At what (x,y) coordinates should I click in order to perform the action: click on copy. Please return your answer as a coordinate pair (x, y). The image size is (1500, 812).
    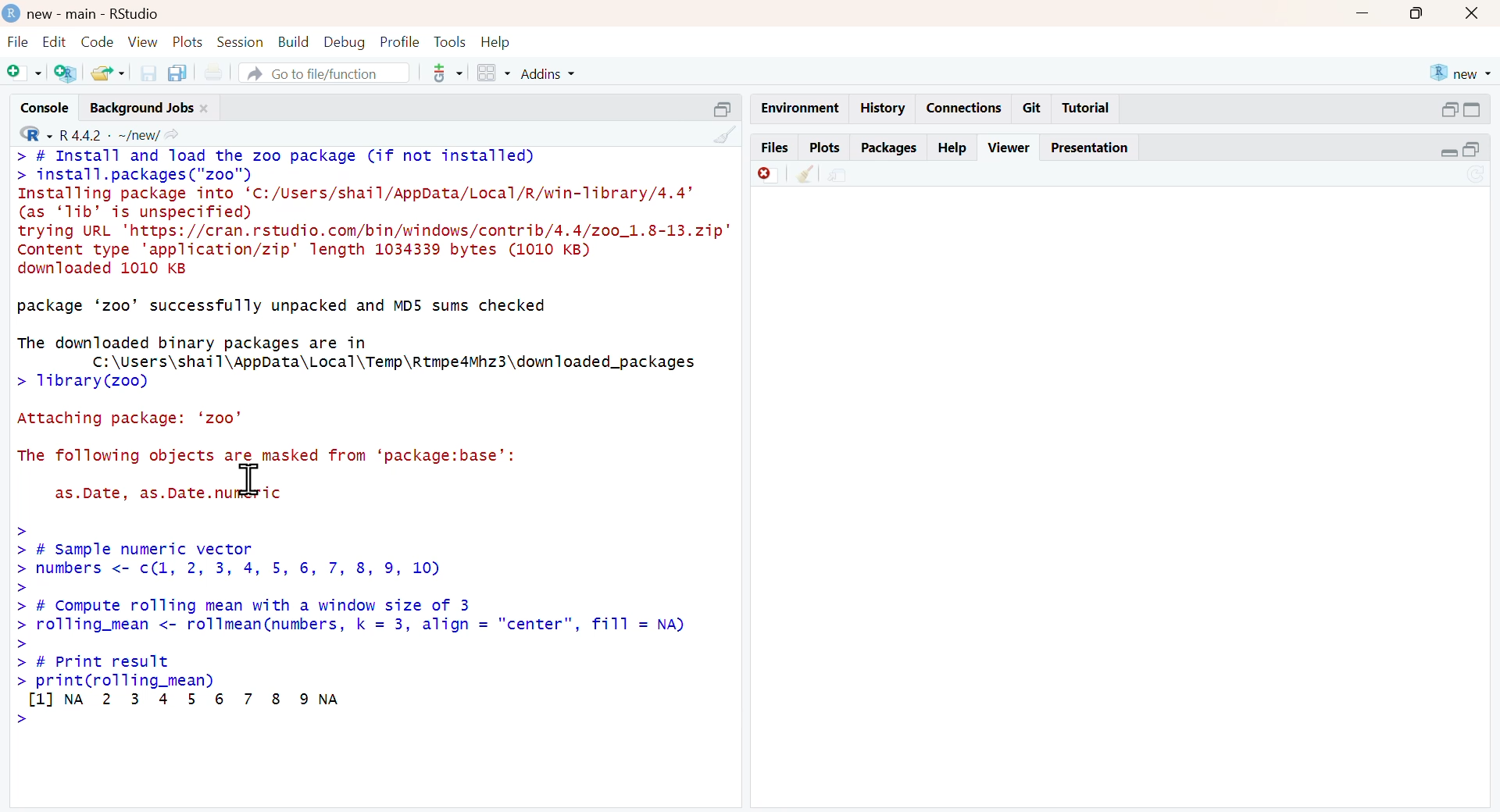
    Looking at the image, I should click on (178, 71).